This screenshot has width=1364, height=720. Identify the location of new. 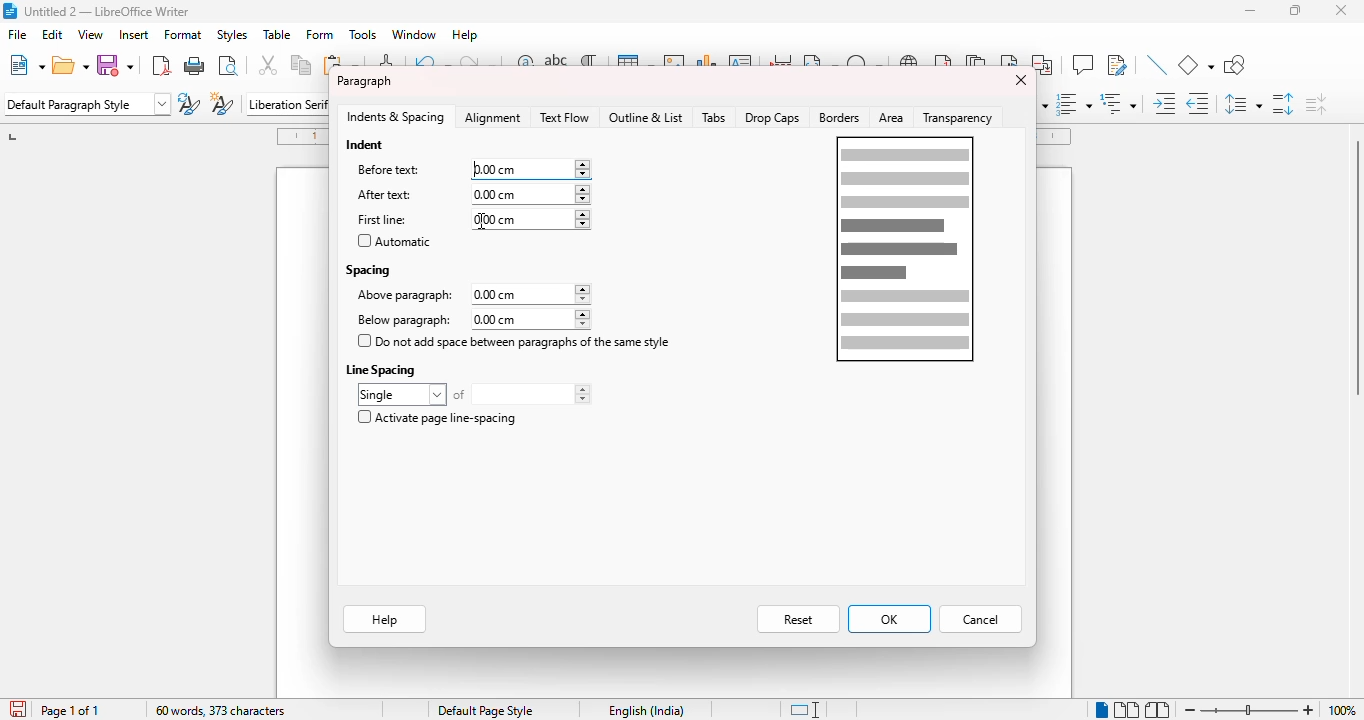
(26, 64).